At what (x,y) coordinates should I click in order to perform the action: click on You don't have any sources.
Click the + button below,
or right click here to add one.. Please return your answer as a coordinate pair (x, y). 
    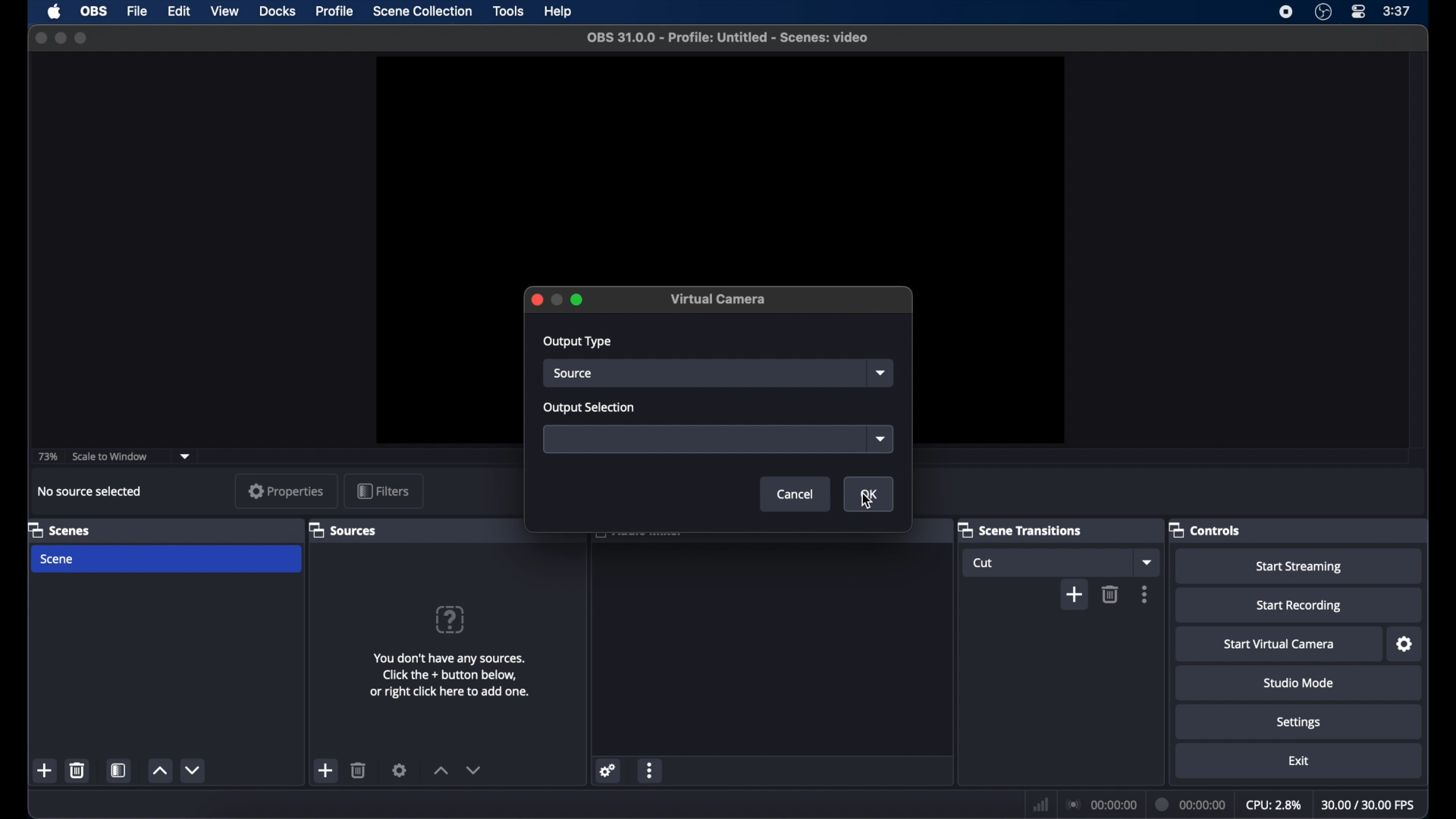
    Looking at the image, I should click on (454, 679).